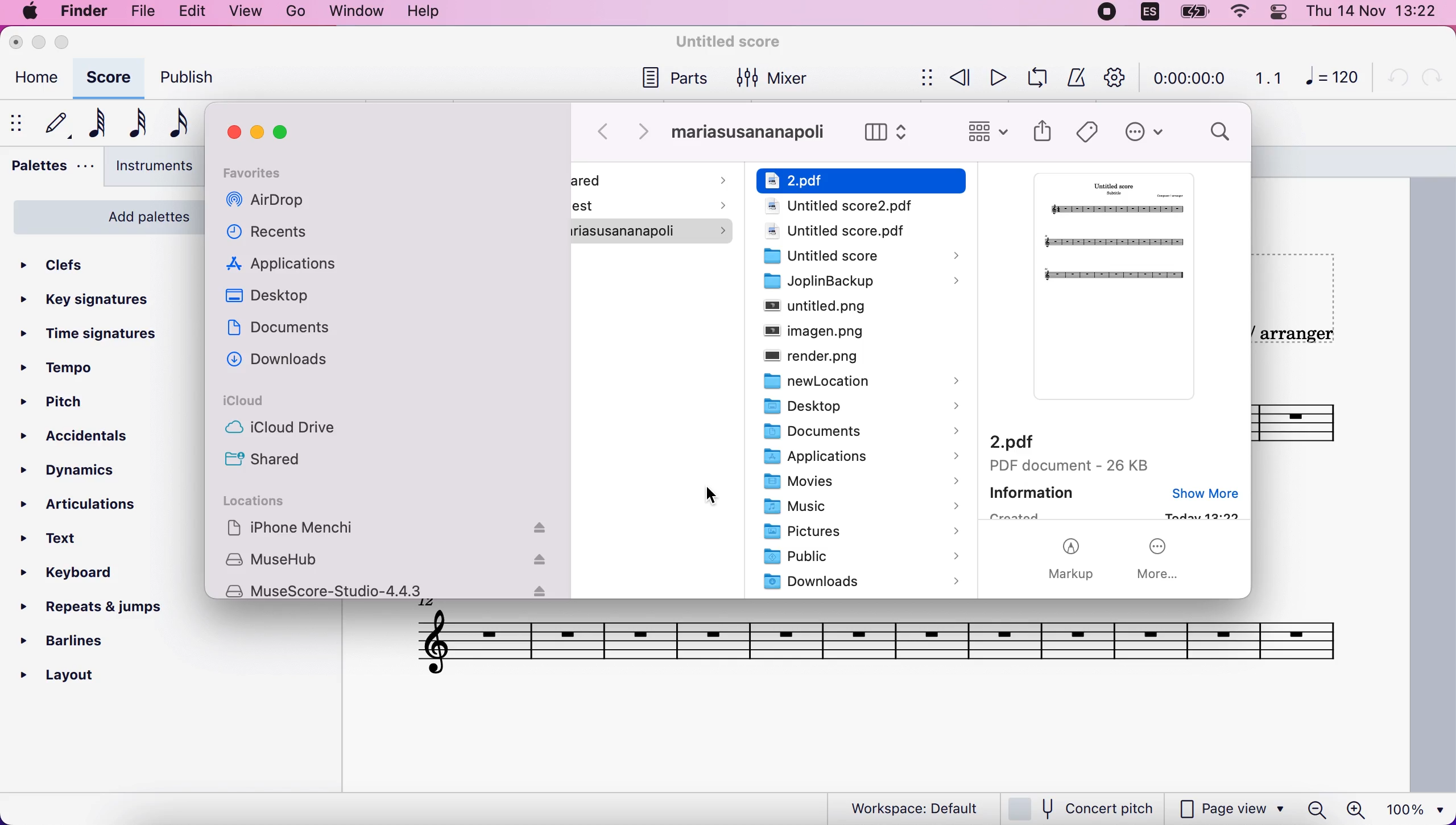 The width and height of the screenshot is (1456, 825). I want to click on tags, so click(1091, 130).